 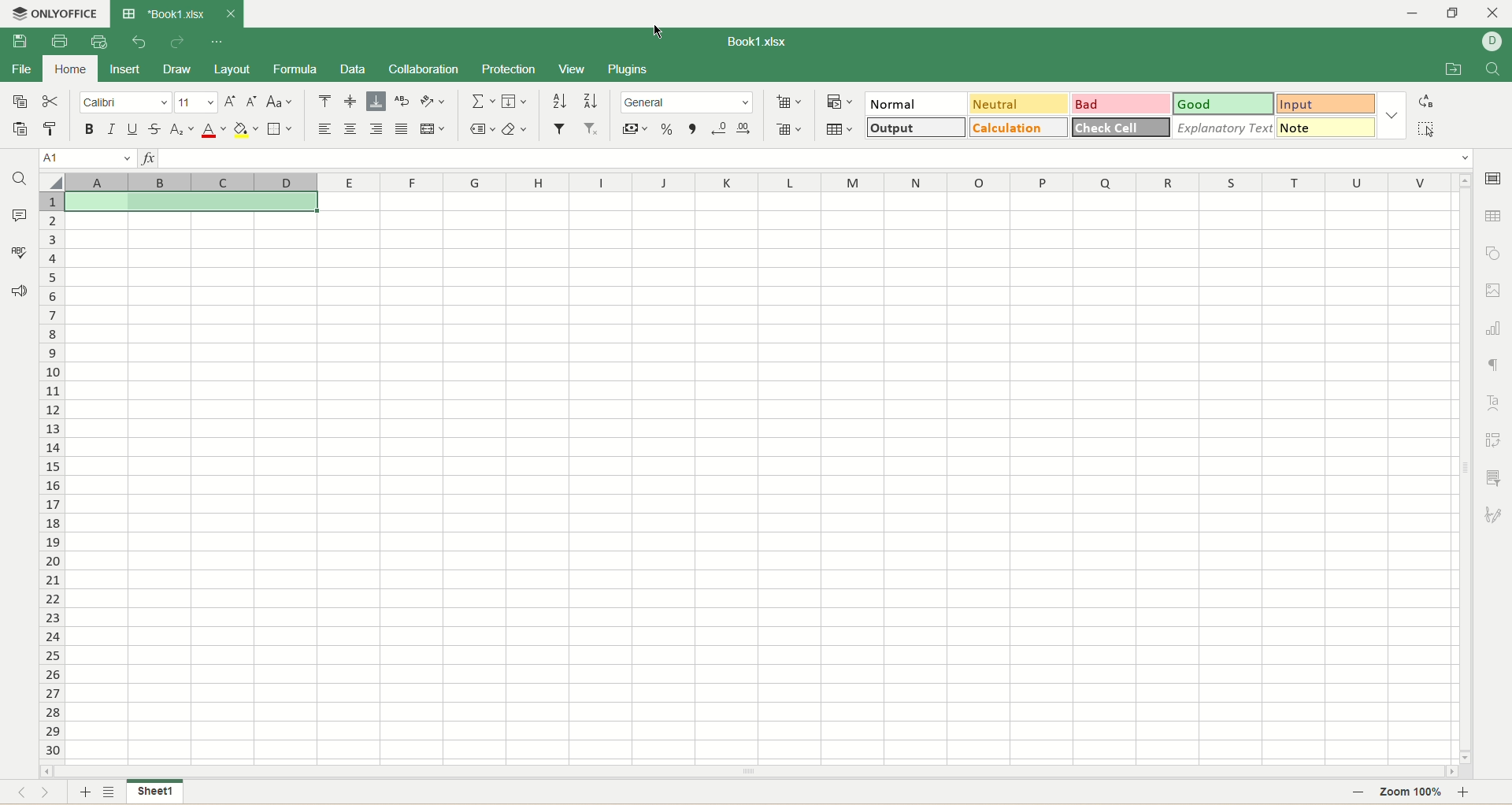 I want to click on align middle, so click(x=353, y=102).